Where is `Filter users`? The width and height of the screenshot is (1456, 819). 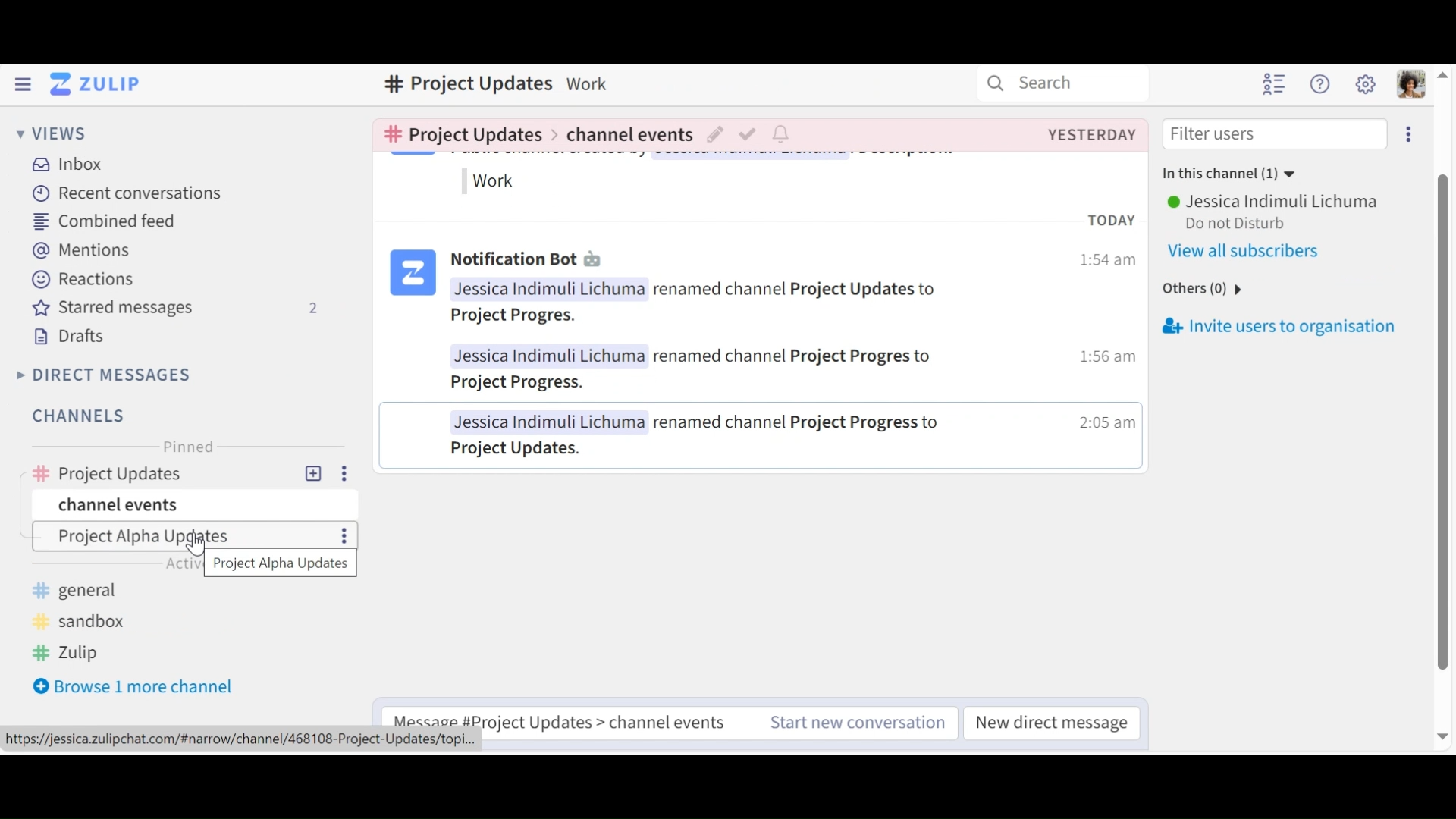
Filter users is located at coordinates (1276, 134).